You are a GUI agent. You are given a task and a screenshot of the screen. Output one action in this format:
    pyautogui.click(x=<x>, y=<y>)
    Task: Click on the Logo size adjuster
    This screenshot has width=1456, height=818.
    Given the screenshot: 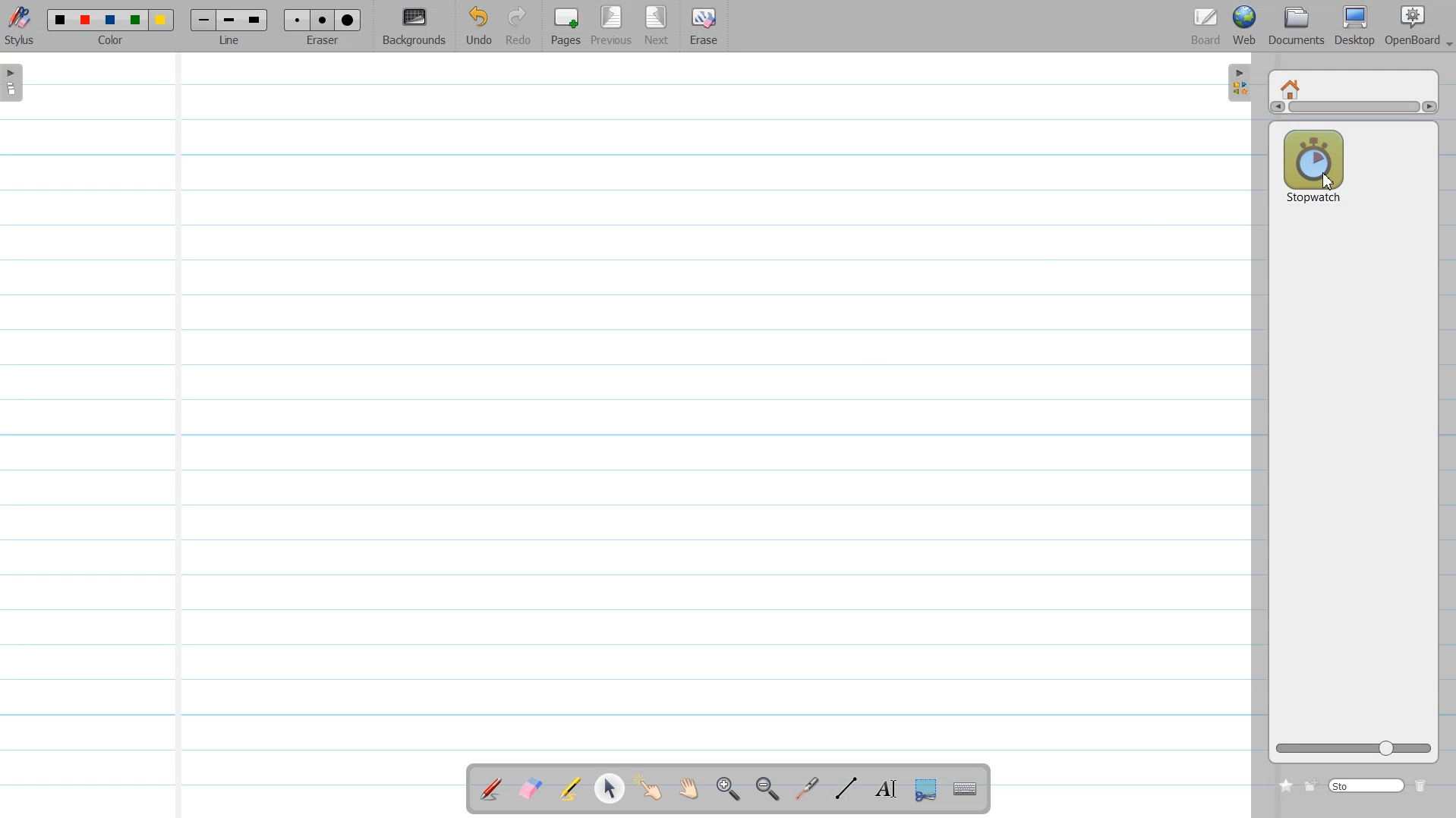 What is the action you would take?
    pyautogui.click(x=1354, y=749)
    